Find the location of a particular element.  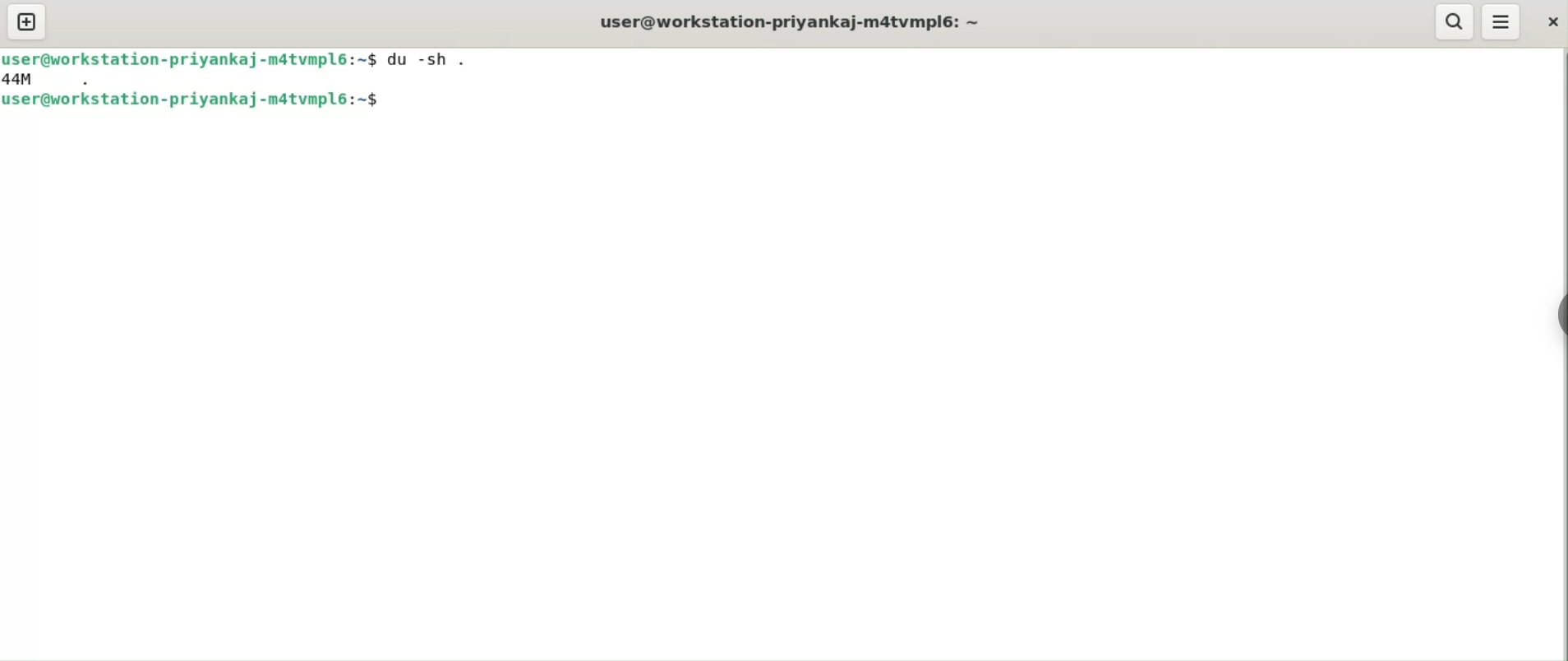

user@workstation-priyankaj-m4tvmlp6:~$ is located at coordinates (191, 100).